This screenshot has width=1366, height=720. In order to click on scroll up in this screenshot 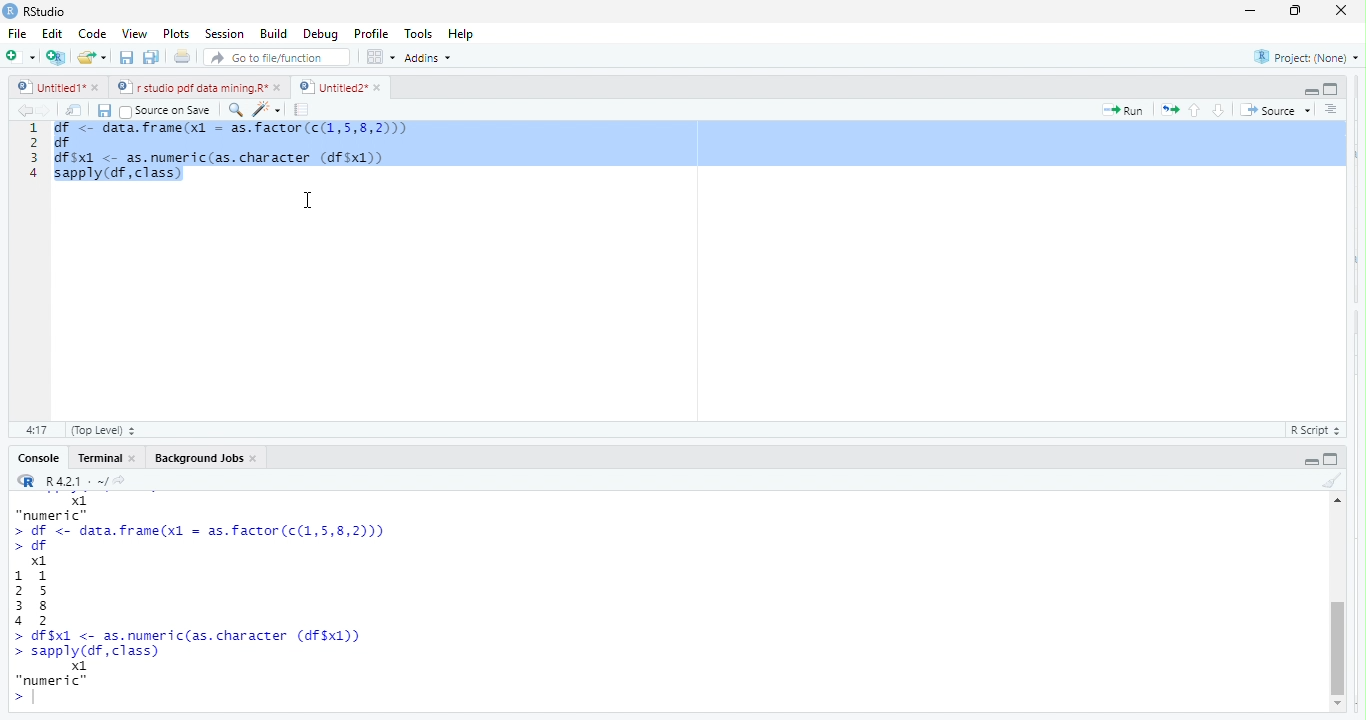, I will do `click(1339, 500)`.